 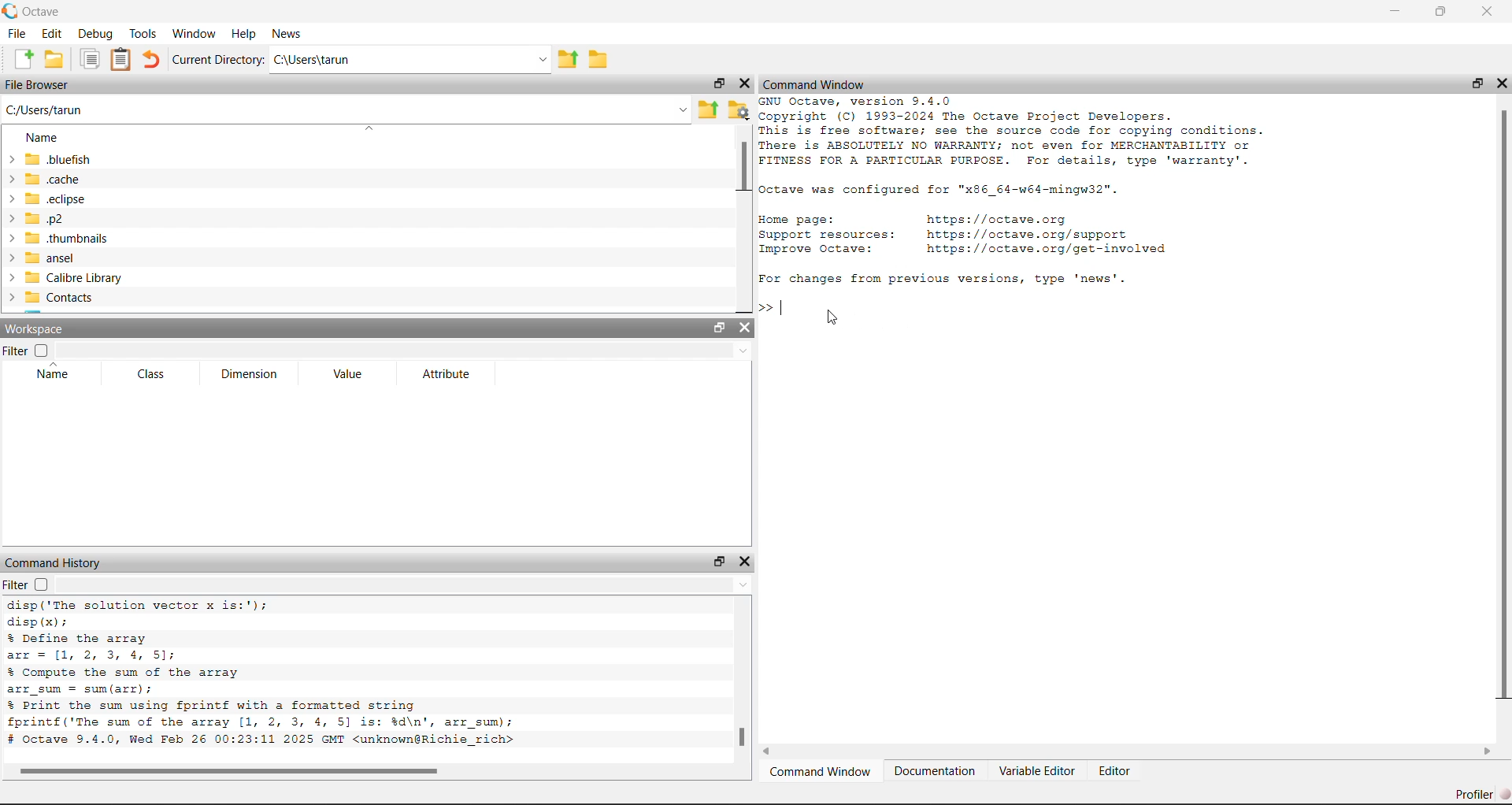 What do you see at coordinates (1448, 11) in the screenshot?
I see `Maximize` at bounding box center [1448, 11].